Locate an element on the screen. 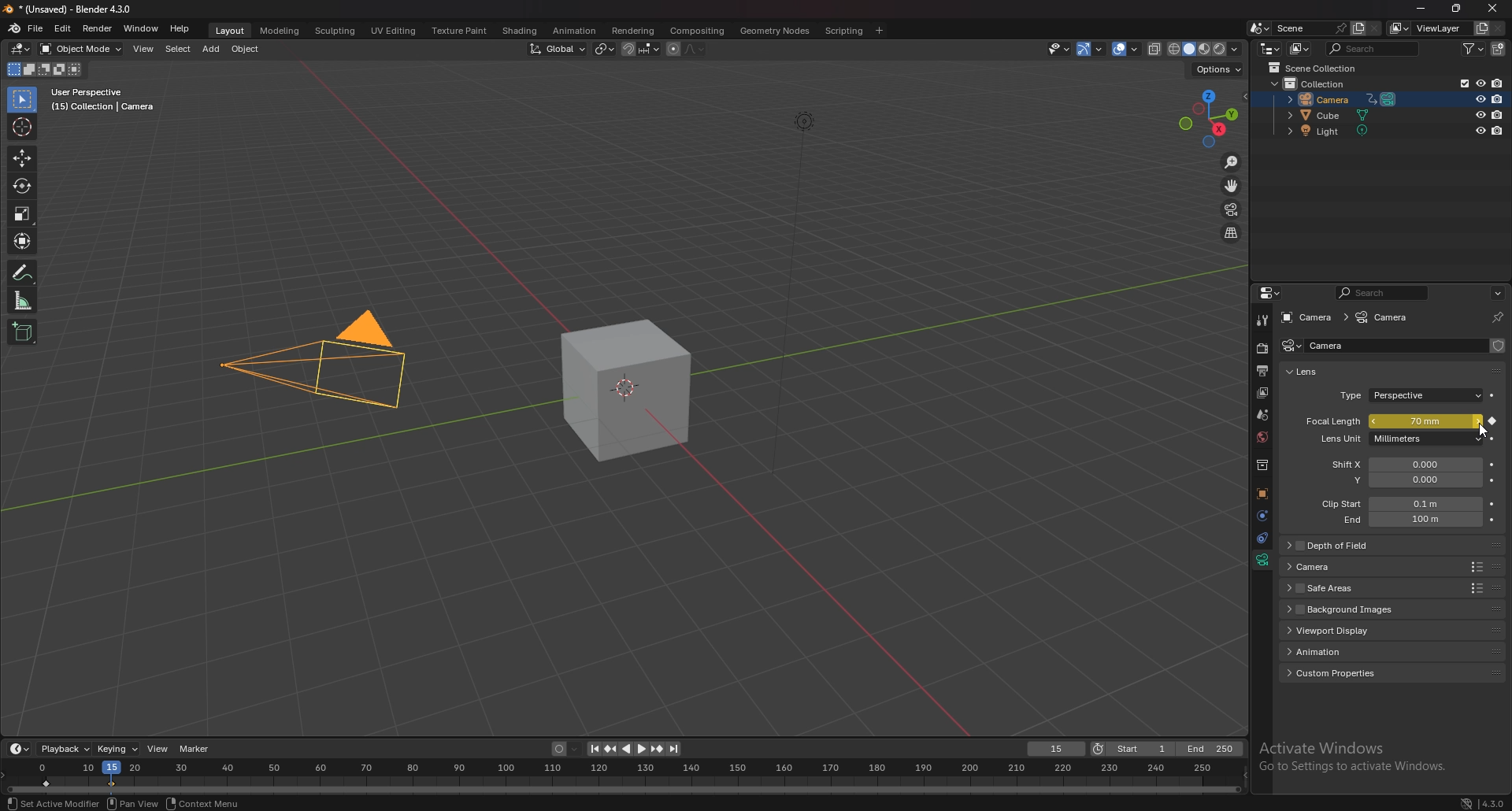  mode is located at coordinates (44, 69).